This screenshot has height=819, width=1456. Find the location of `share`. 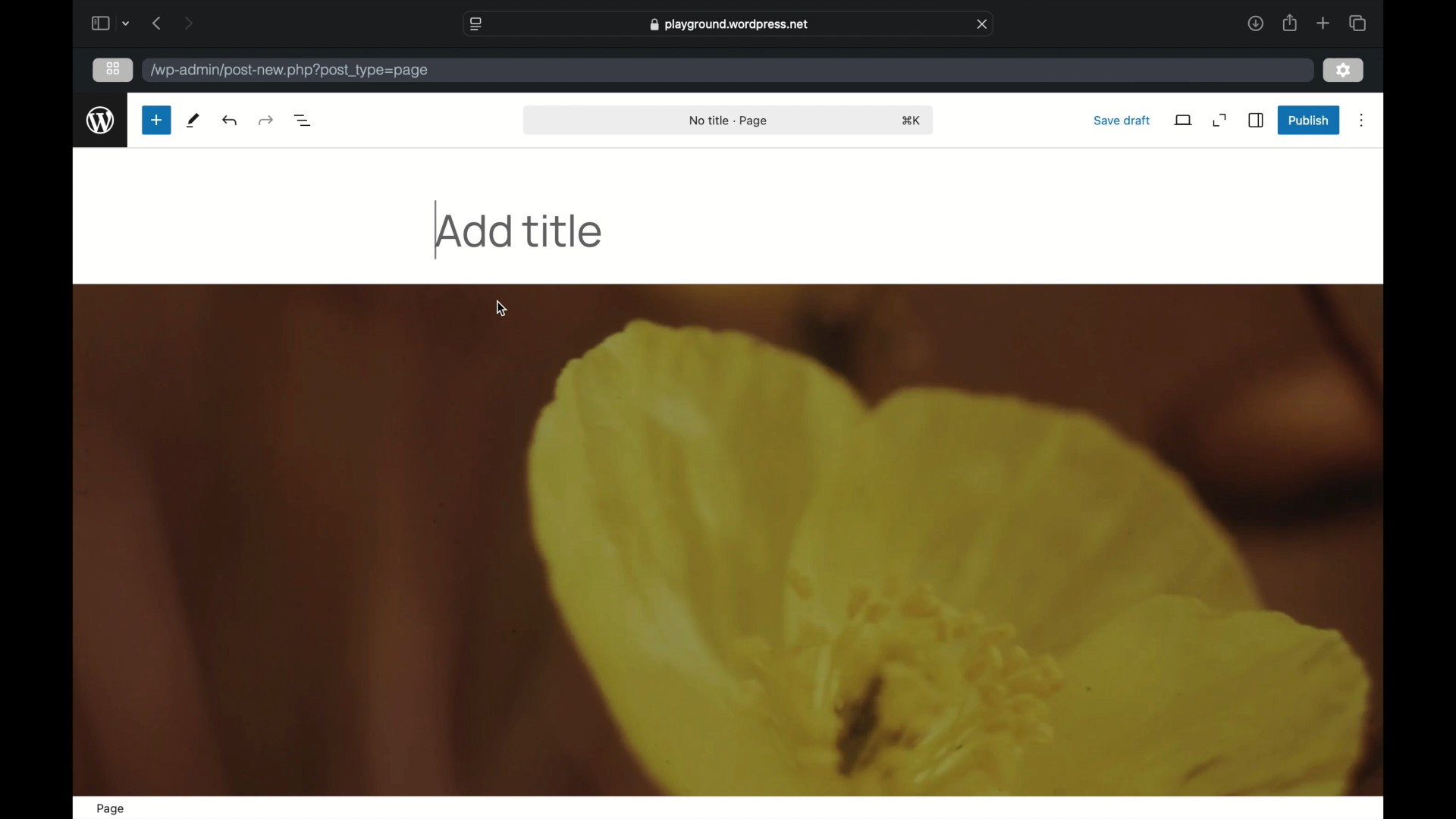

share is located at coordinates (1288, 22).